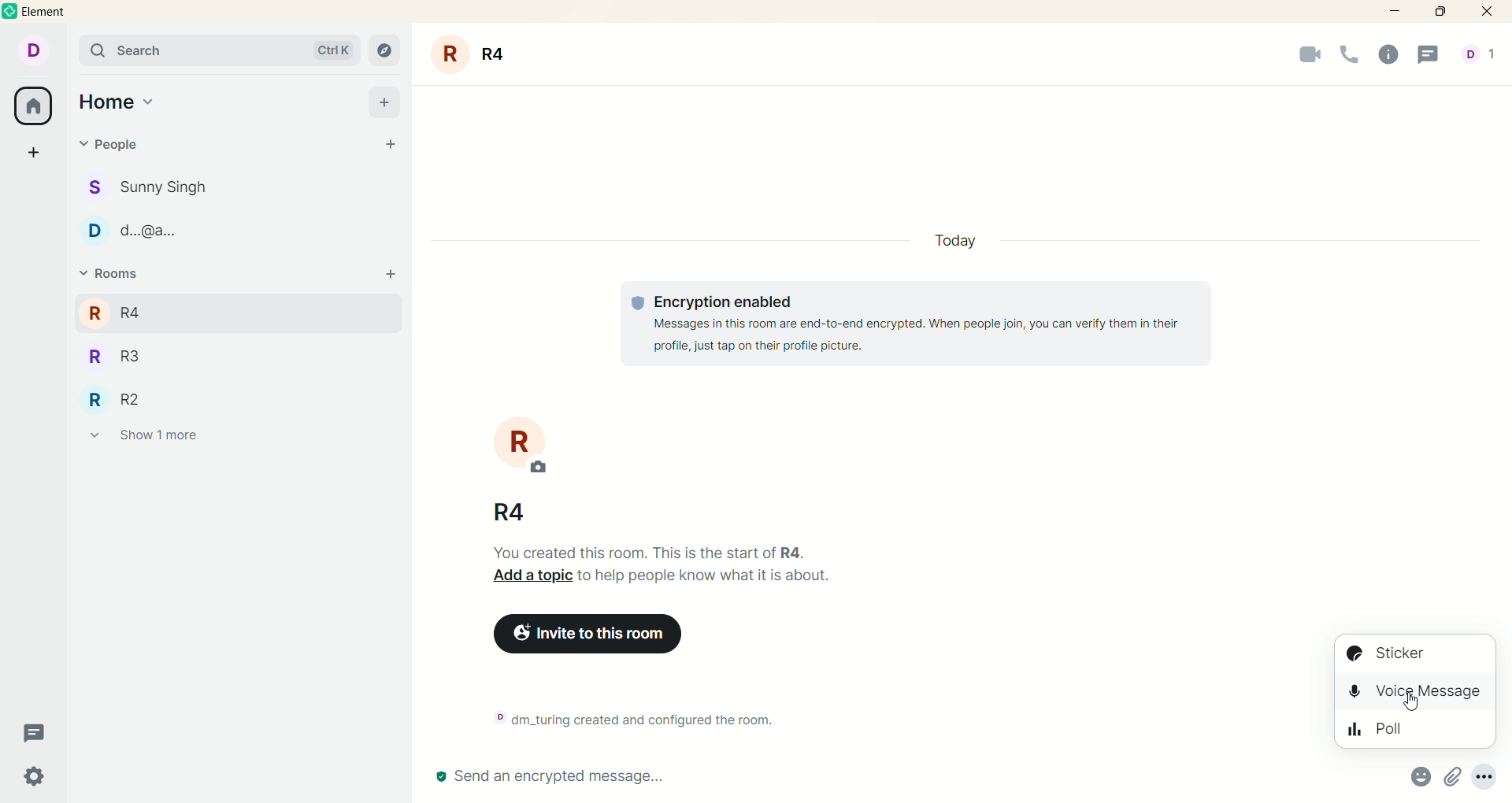 The image size is (1512, 803). What do you see at coordinates (34, 154) in the screenshot?
I see `create a space` at bounding box center [34, 154].